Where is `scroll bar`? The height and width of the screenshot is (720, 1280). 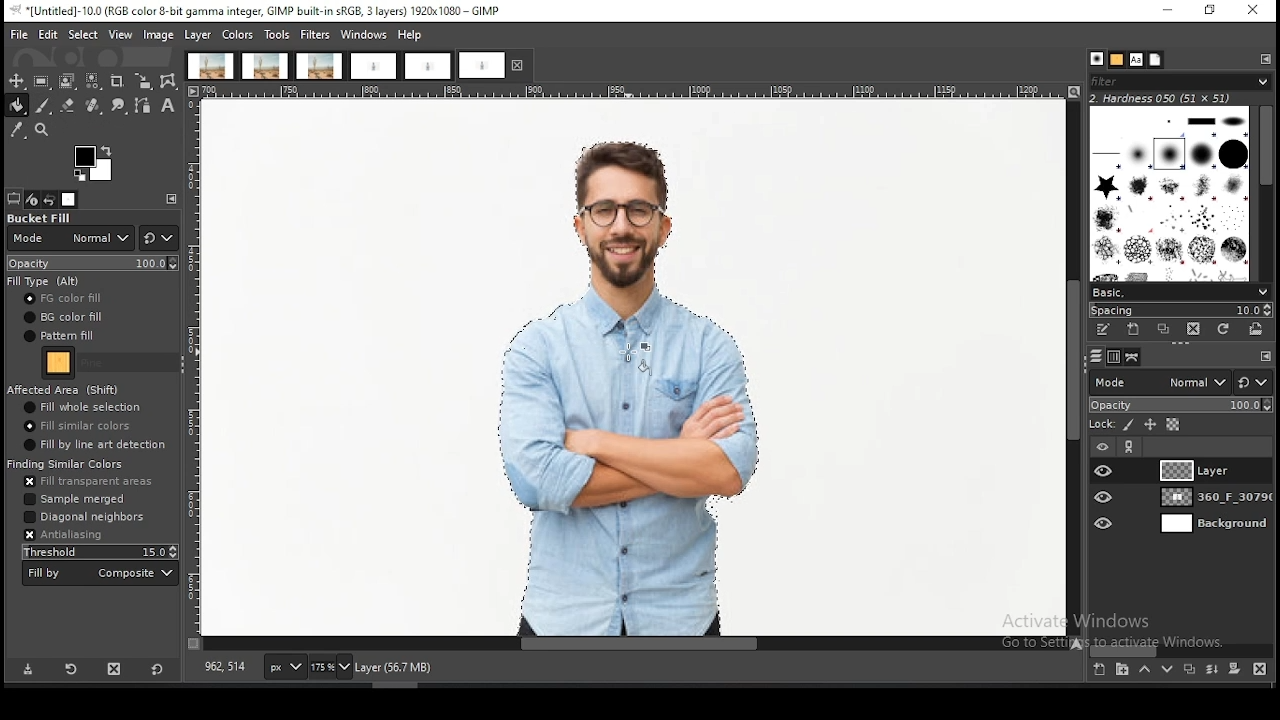 scroll bar is located at coordinates (1182, 650).